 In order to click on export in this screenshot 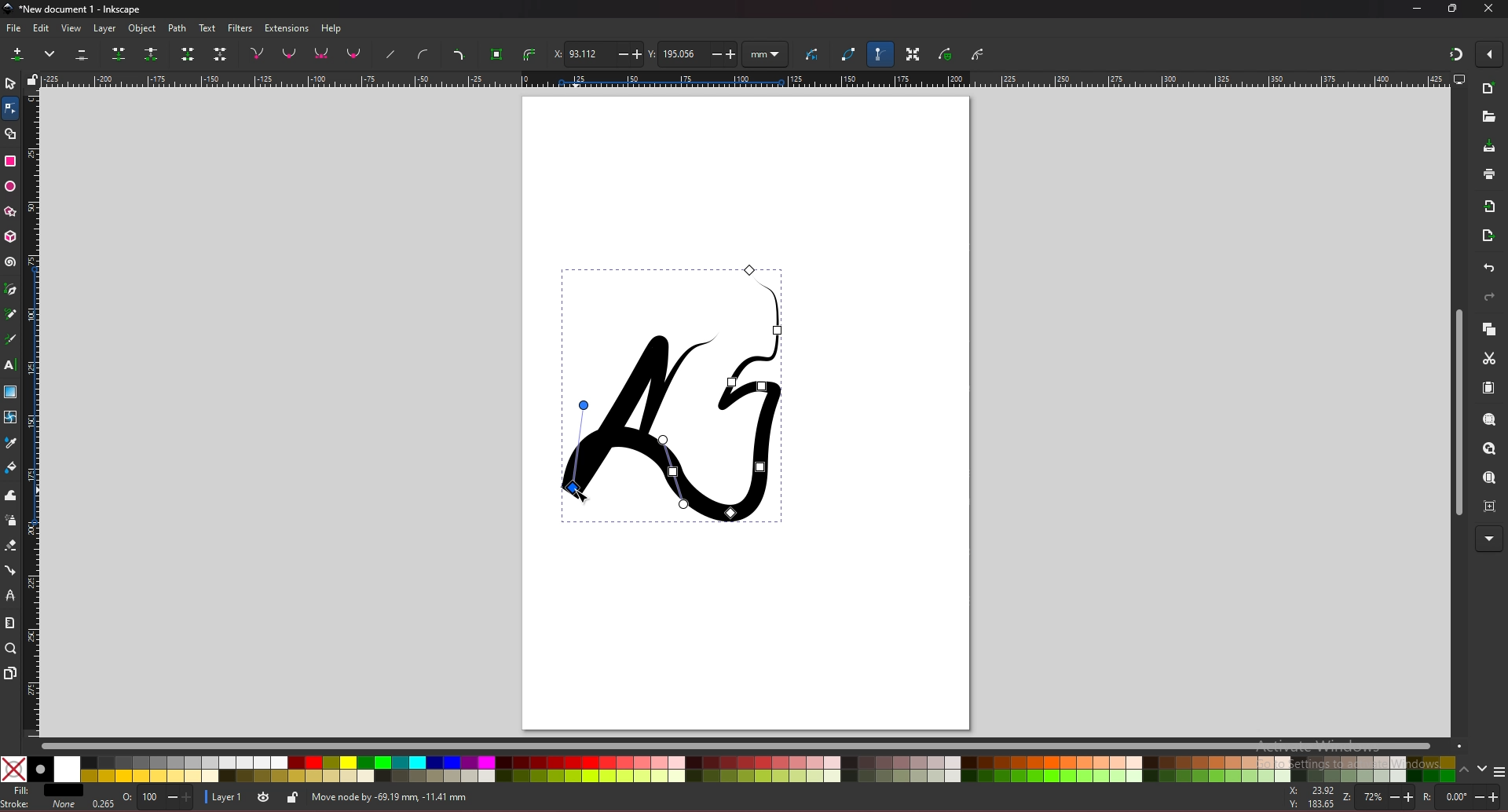, I will do `click(1489, 235)`.